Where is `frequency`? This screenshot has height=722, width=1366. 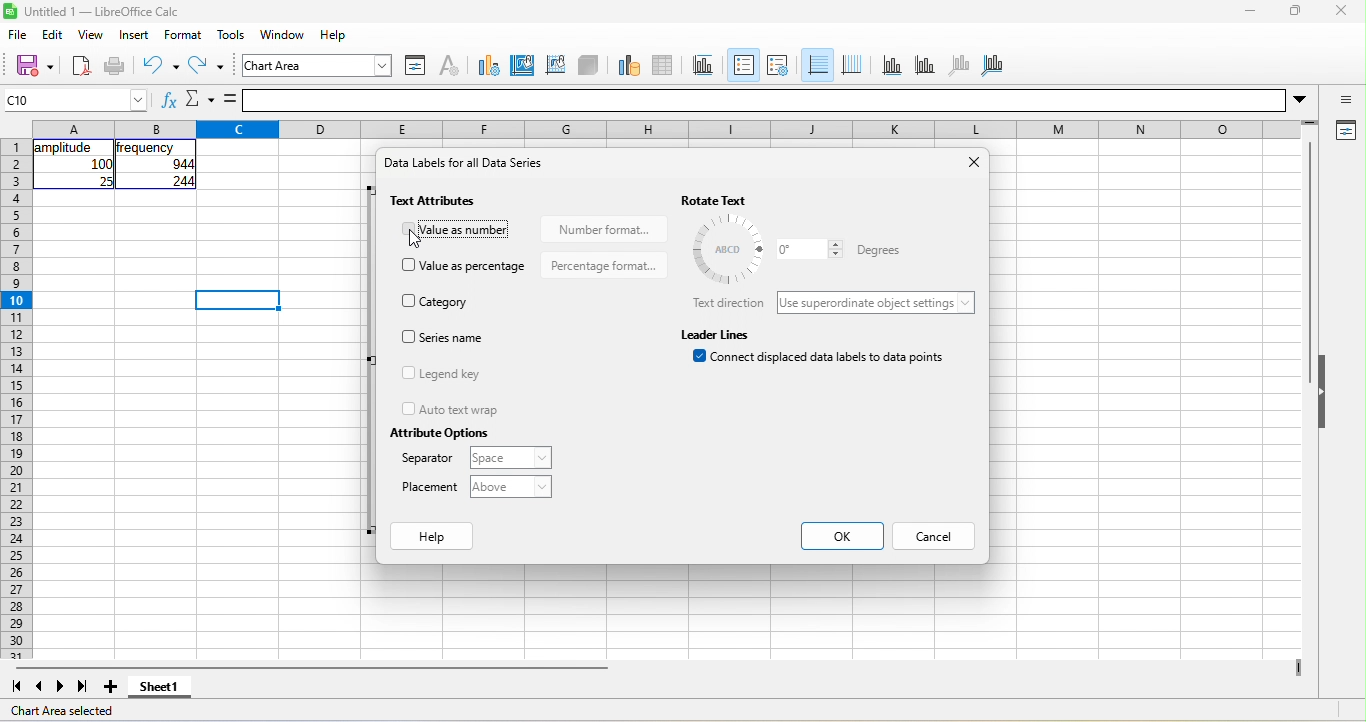
frequency is located at coordinates (147, 148).